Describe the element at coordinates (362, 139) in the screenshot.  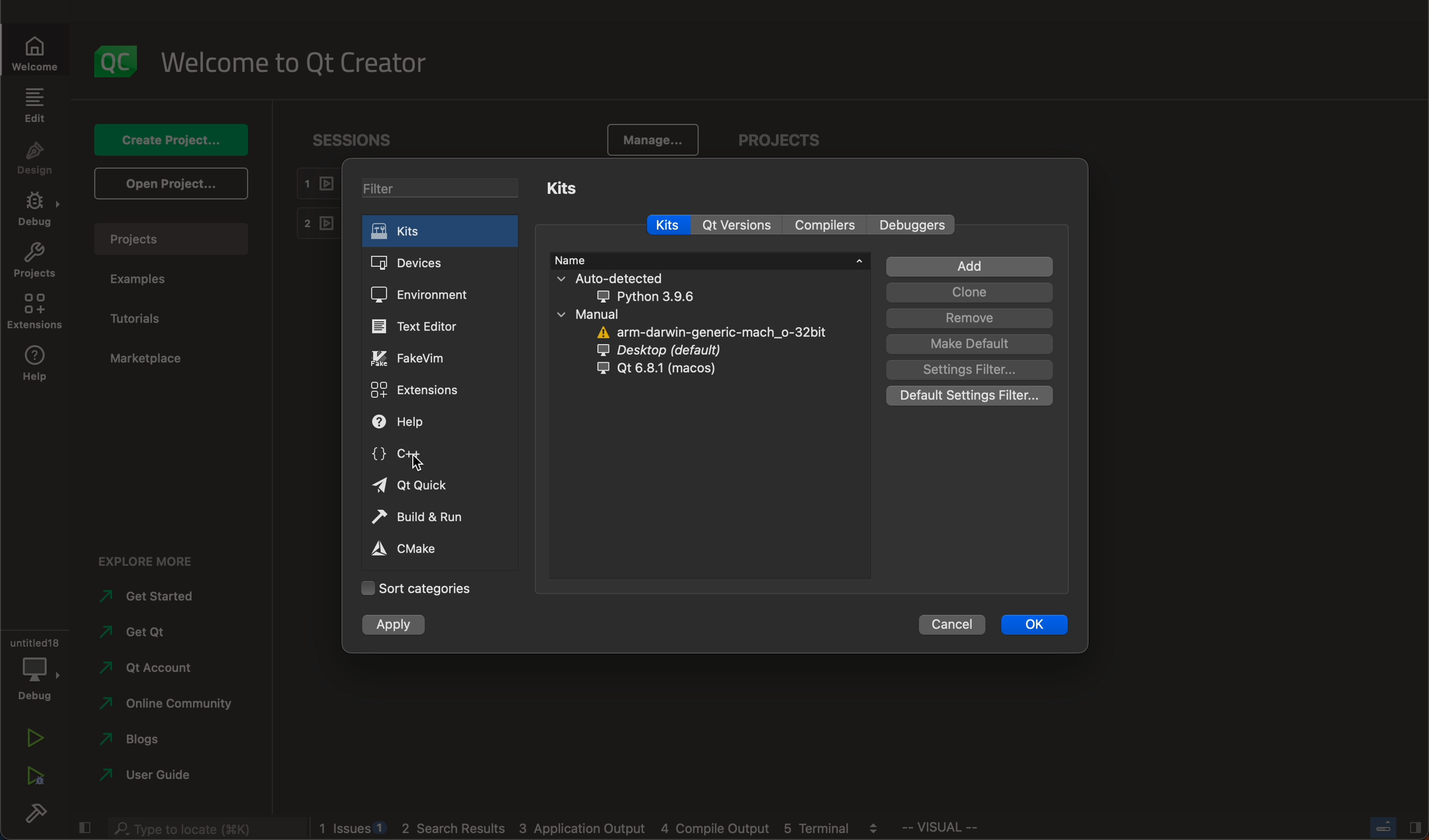
I see `sessions` at that location.